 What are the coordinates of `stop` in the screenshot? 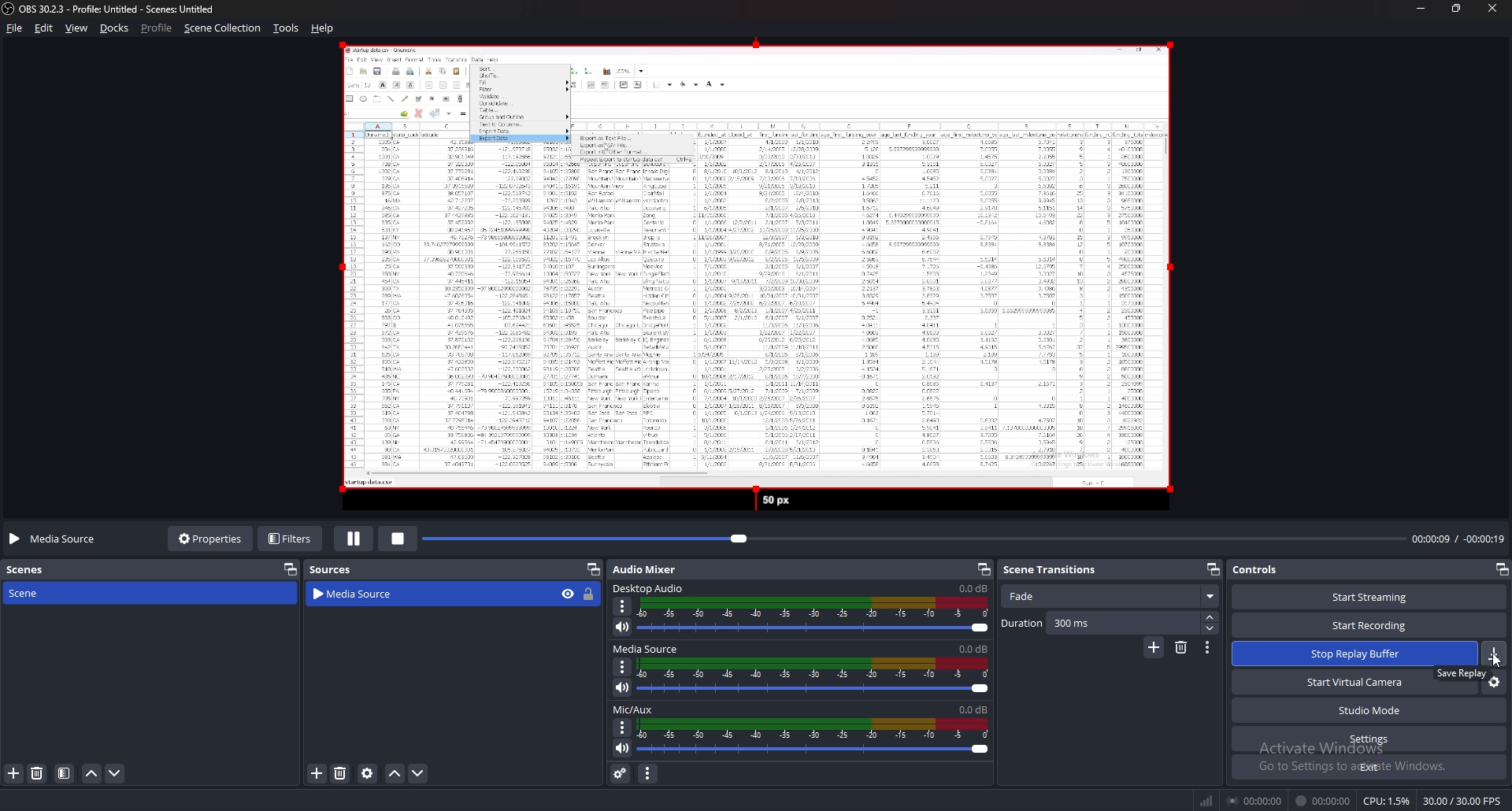 It's located at (398, 539).